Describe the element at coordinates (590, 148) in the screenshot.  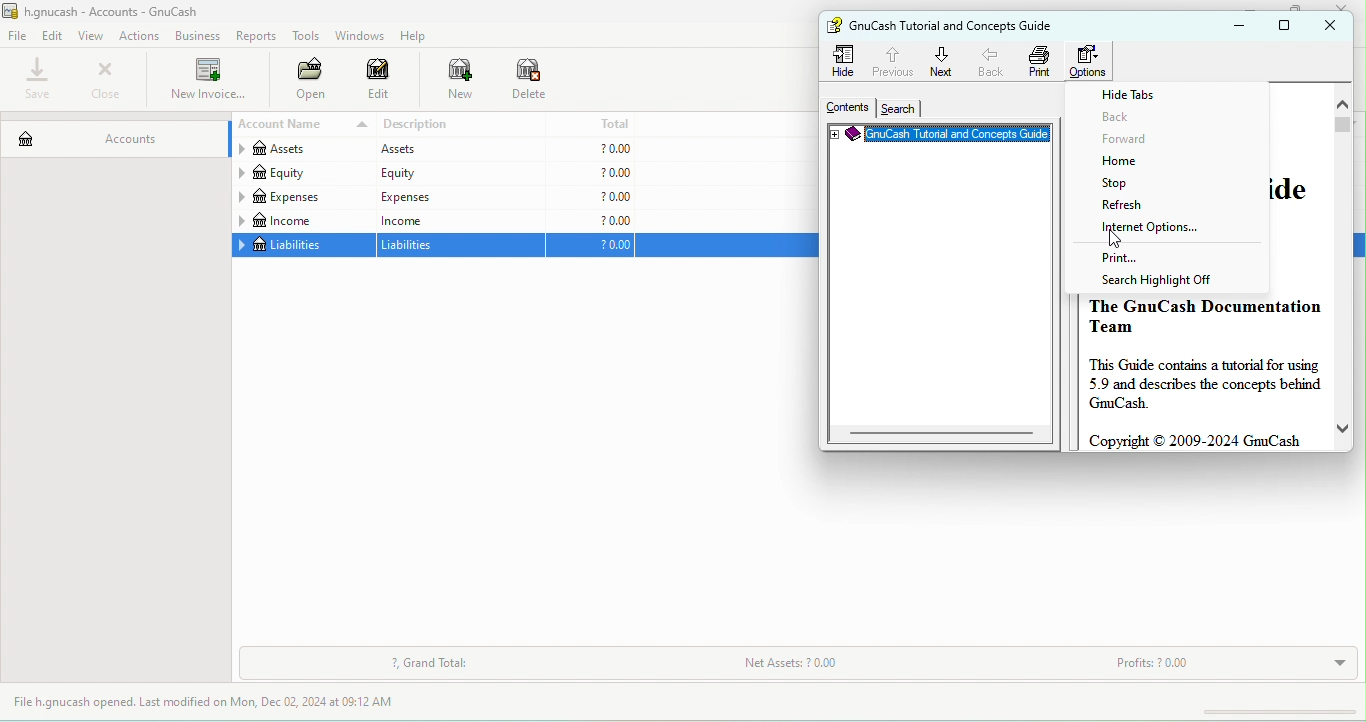
I see `?0.00` at that location.